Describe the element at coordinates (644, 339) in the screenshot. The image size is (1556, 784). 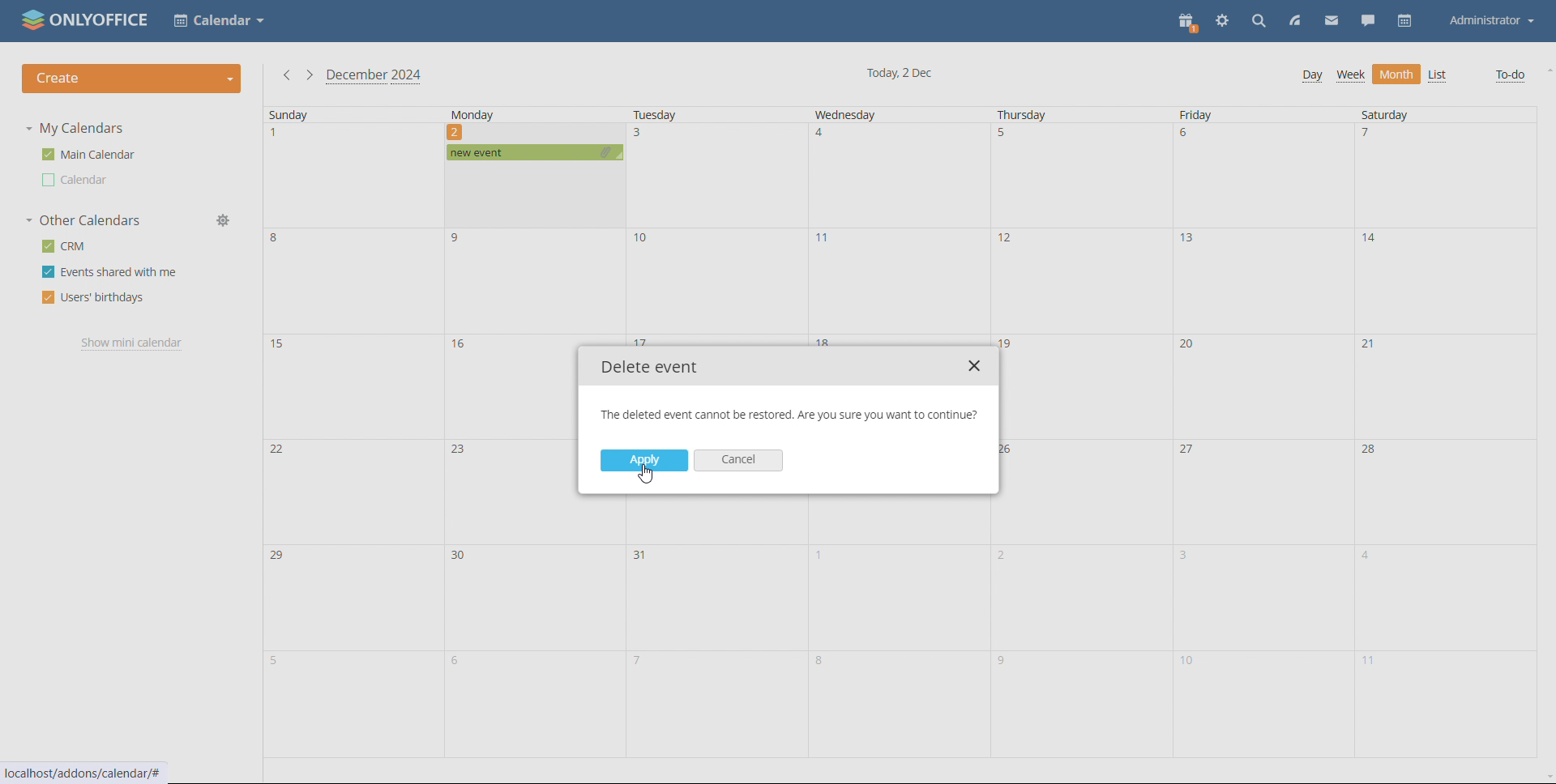
I see `17` at that location.